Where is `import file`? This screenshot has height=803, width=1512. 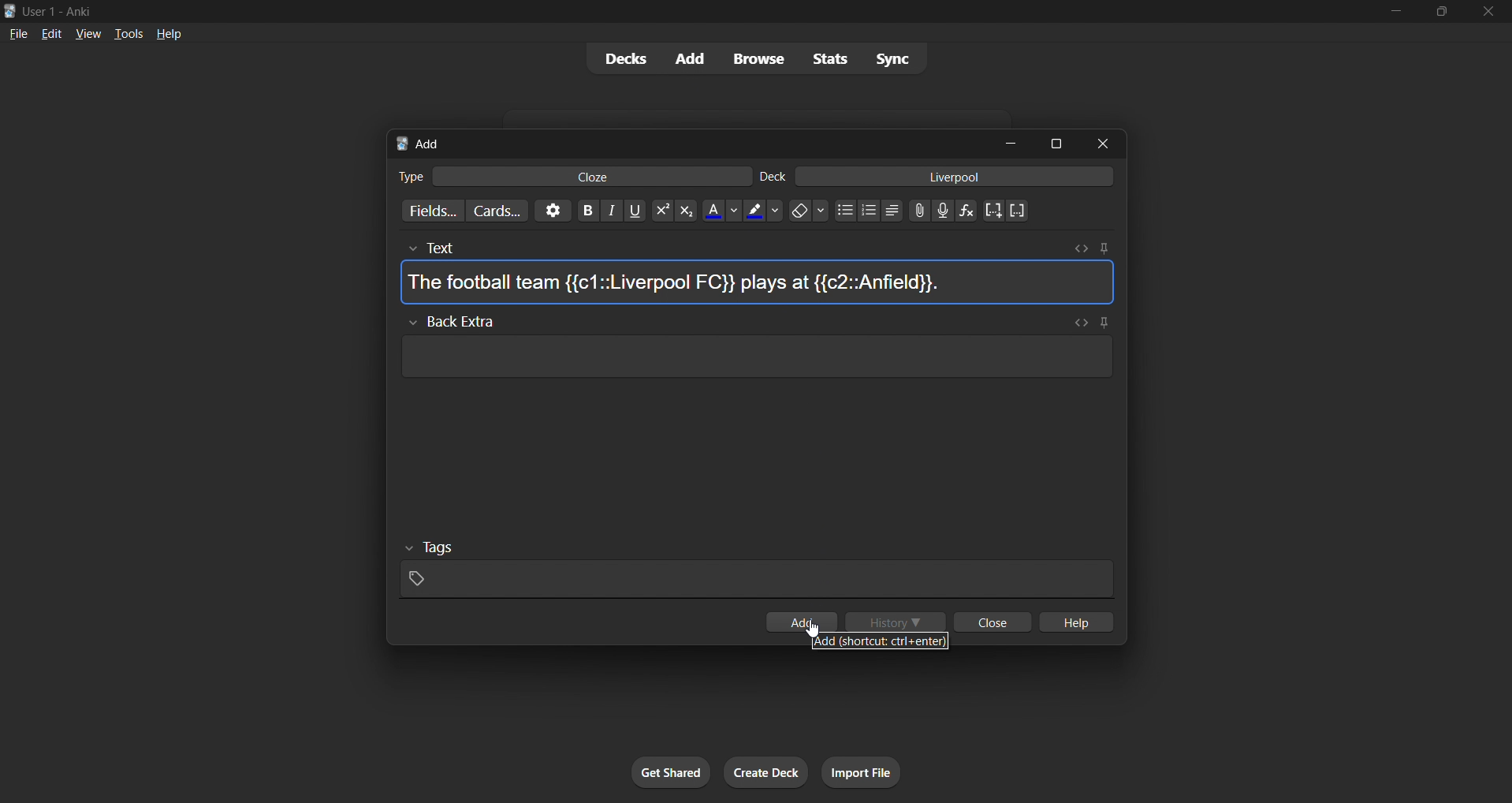
import file is located at coordinates (862, 771).